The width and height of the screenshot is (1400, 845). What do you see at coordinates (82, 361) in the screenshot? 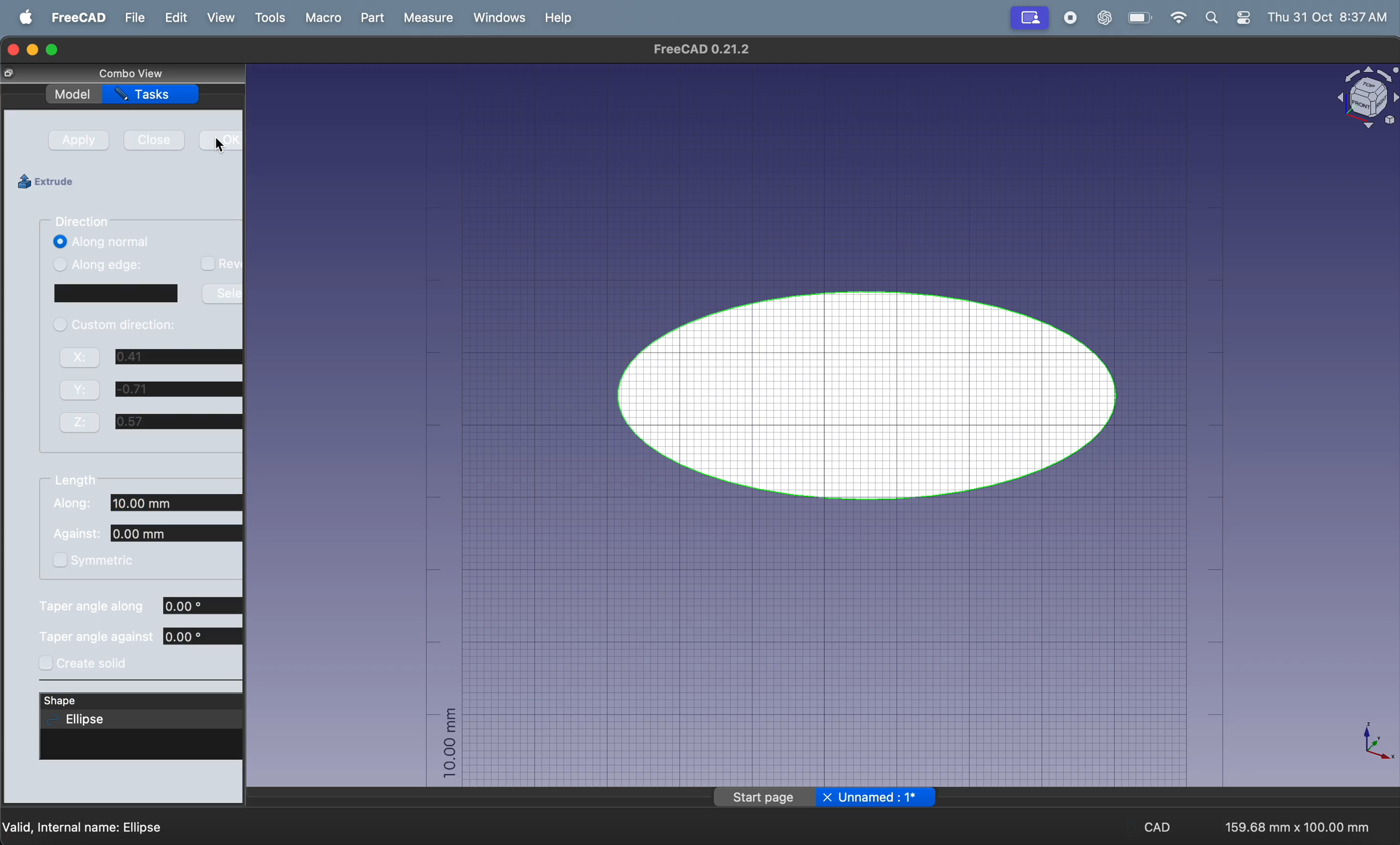
I see `x cordinate` at bounding box center [82, 361].